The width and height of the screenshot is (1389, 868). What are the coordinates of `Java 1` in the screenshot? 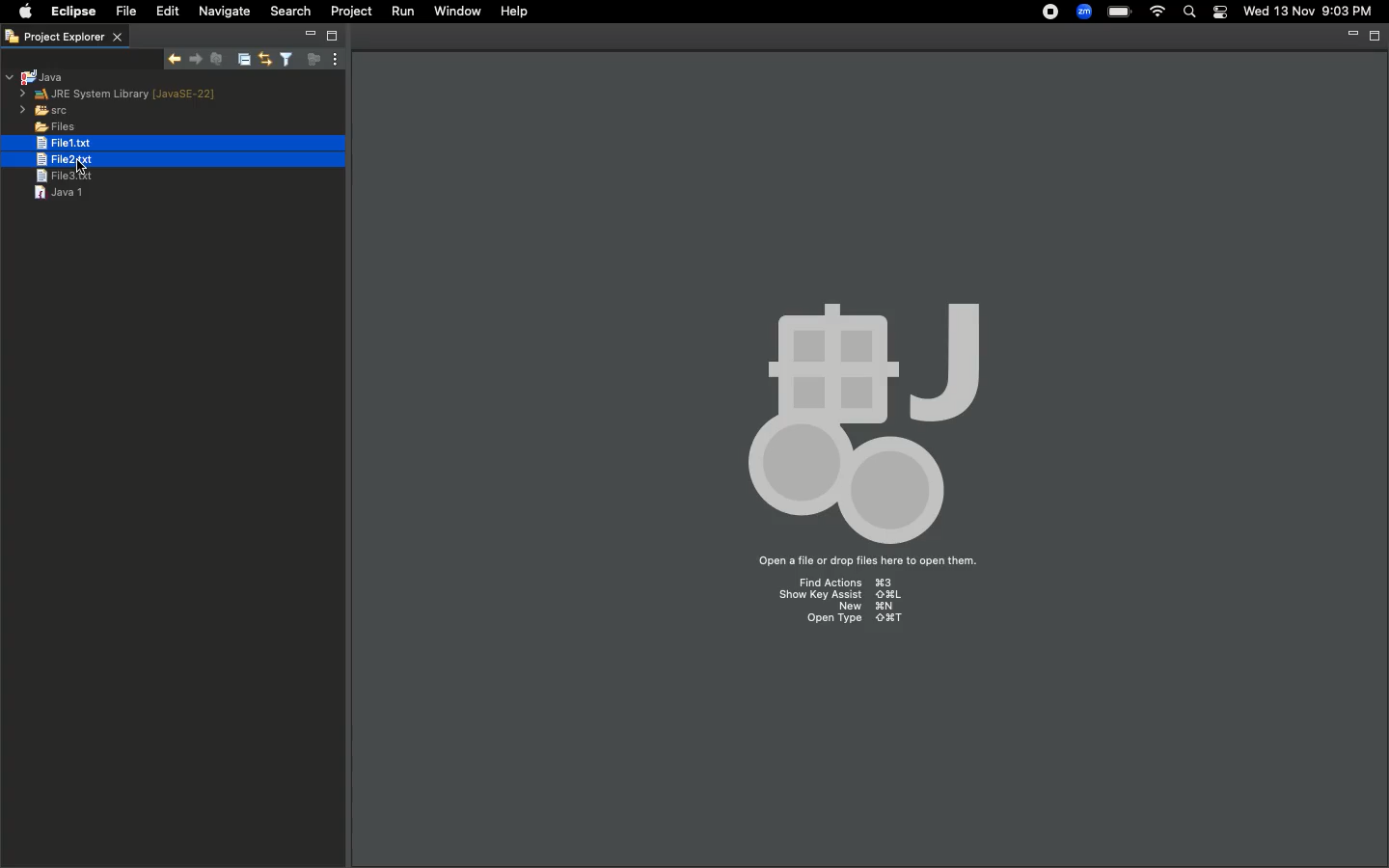 It's located at (58, 192).